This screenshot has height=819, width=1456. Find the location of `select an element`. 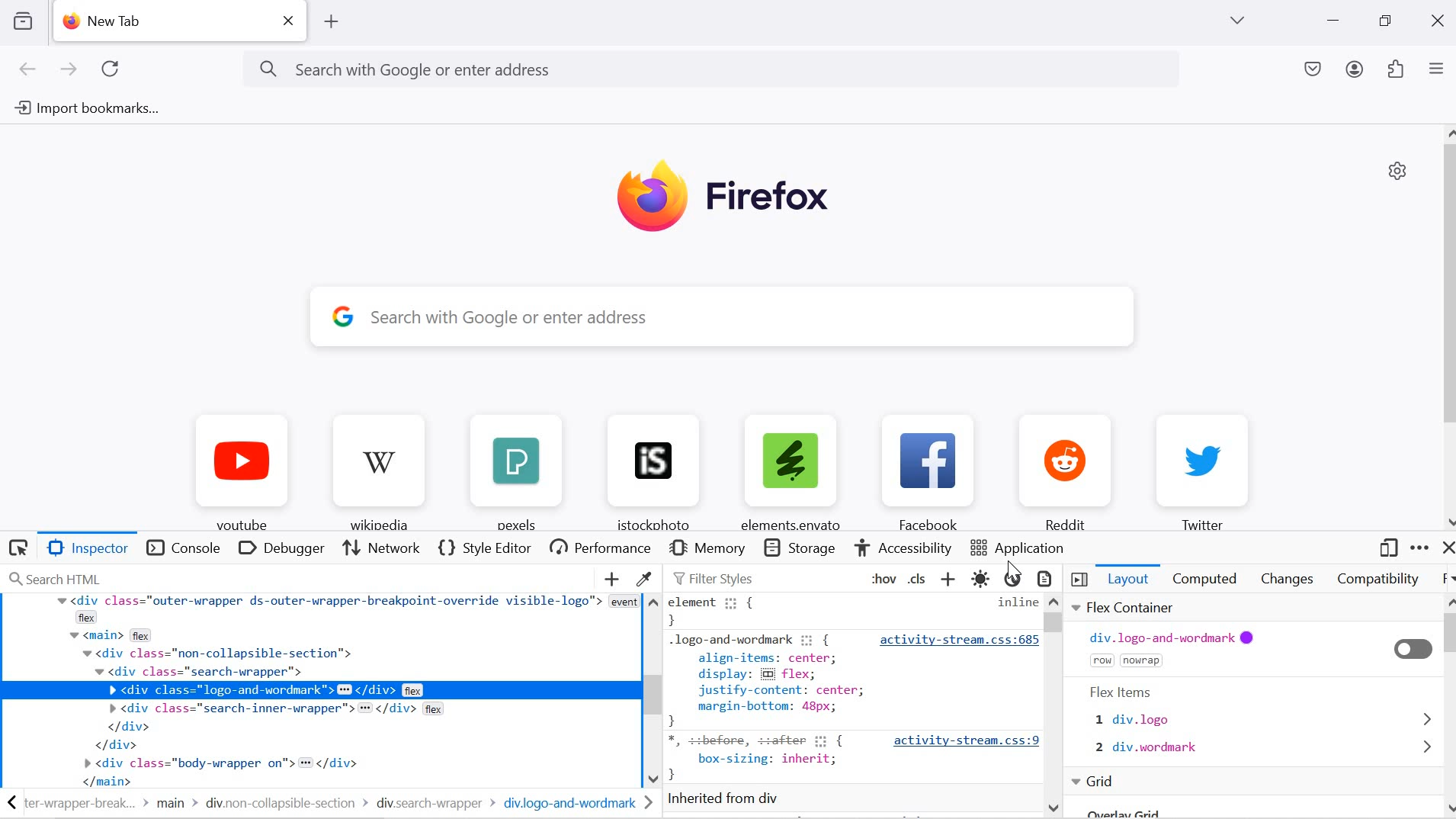

select an element is located at coordinates (20, 546).